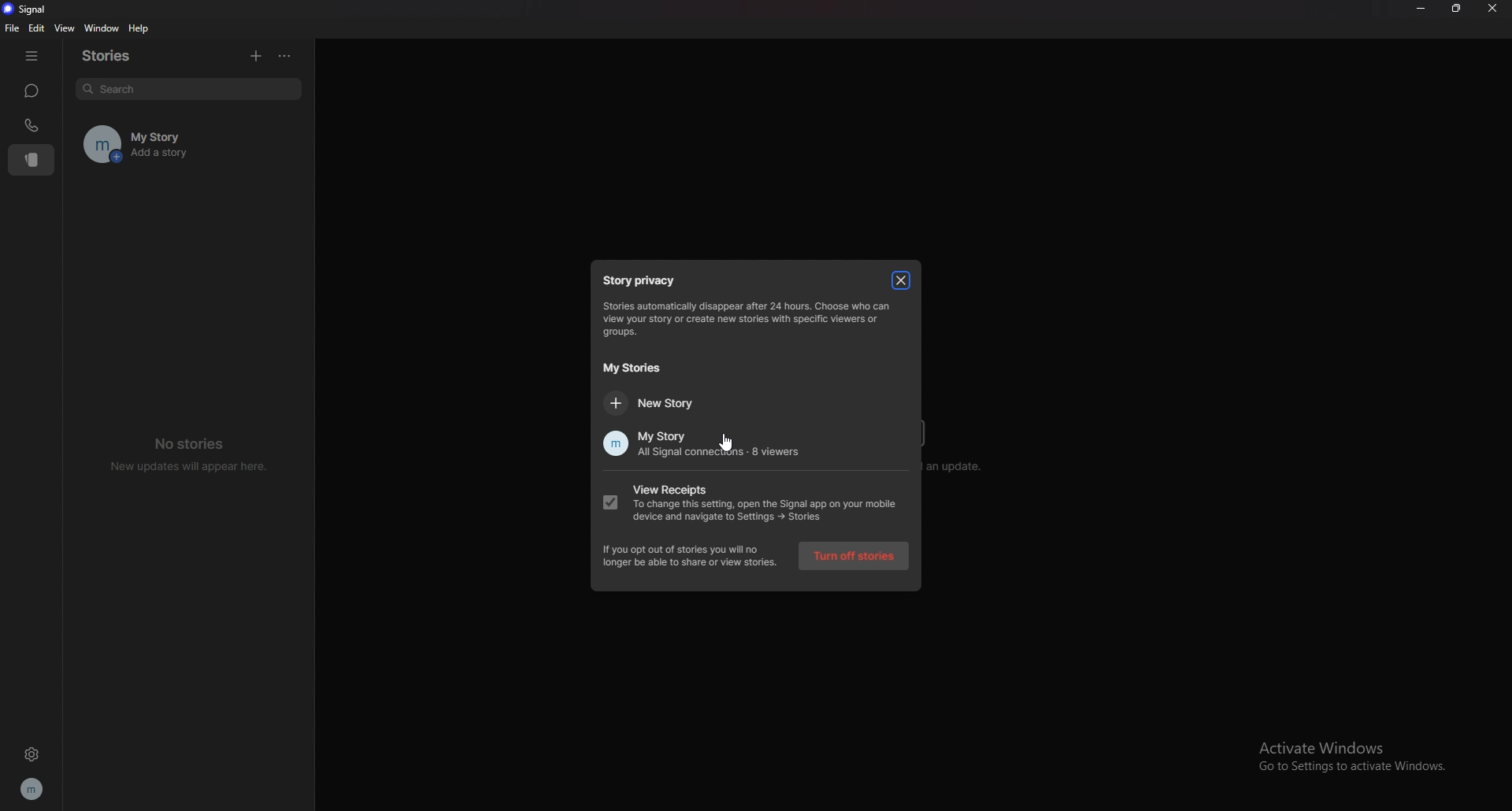 This screenshot has width=1512, height=811. Describe the element at coordinates (139, 29) in the screenshot. I see `help` at that location.